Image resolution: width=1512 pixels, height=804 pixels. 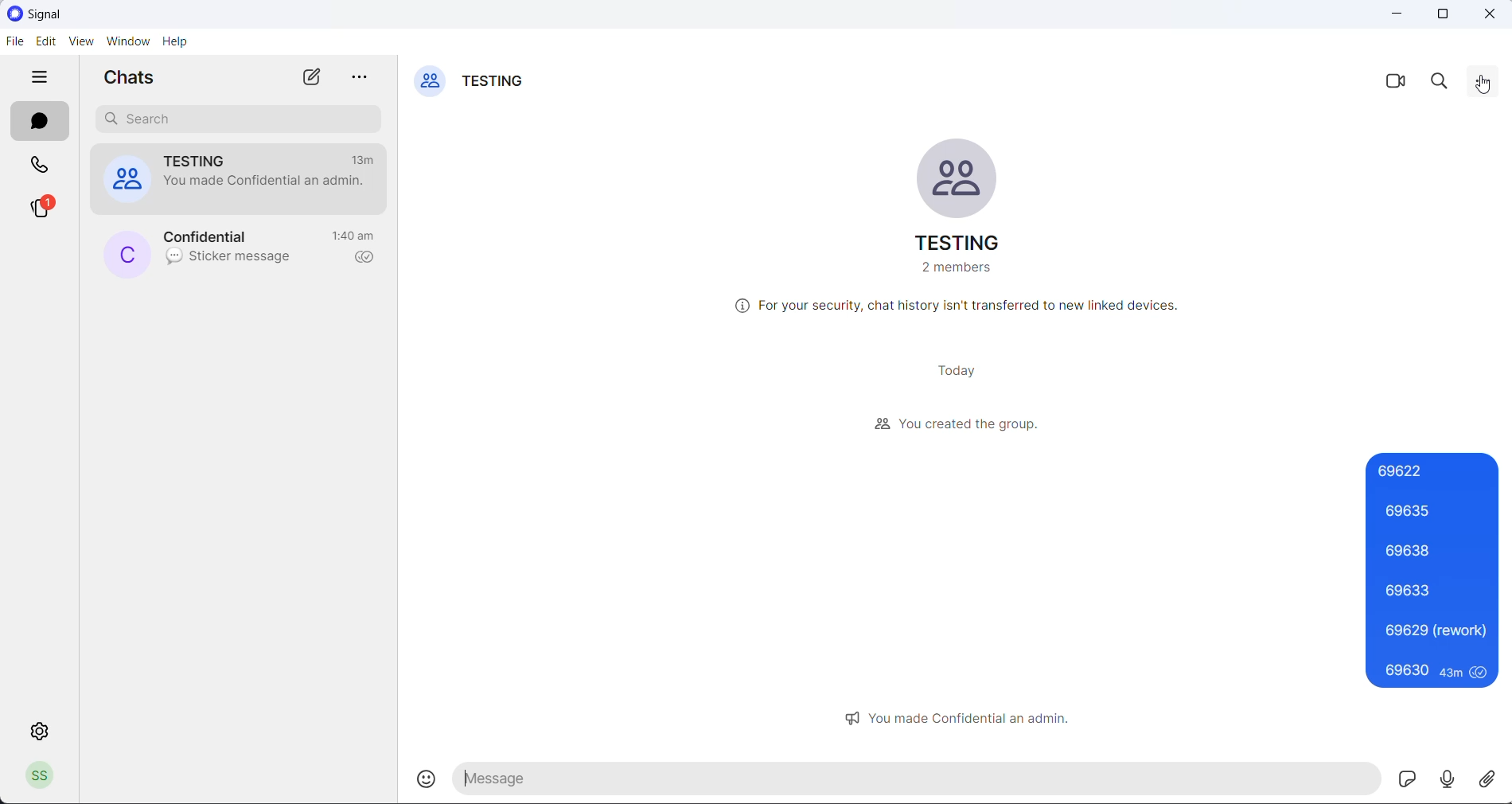 What do you see at coordinates (919, 780) in the screenshot?
I see `message text area` at bounding box center [919, 780].